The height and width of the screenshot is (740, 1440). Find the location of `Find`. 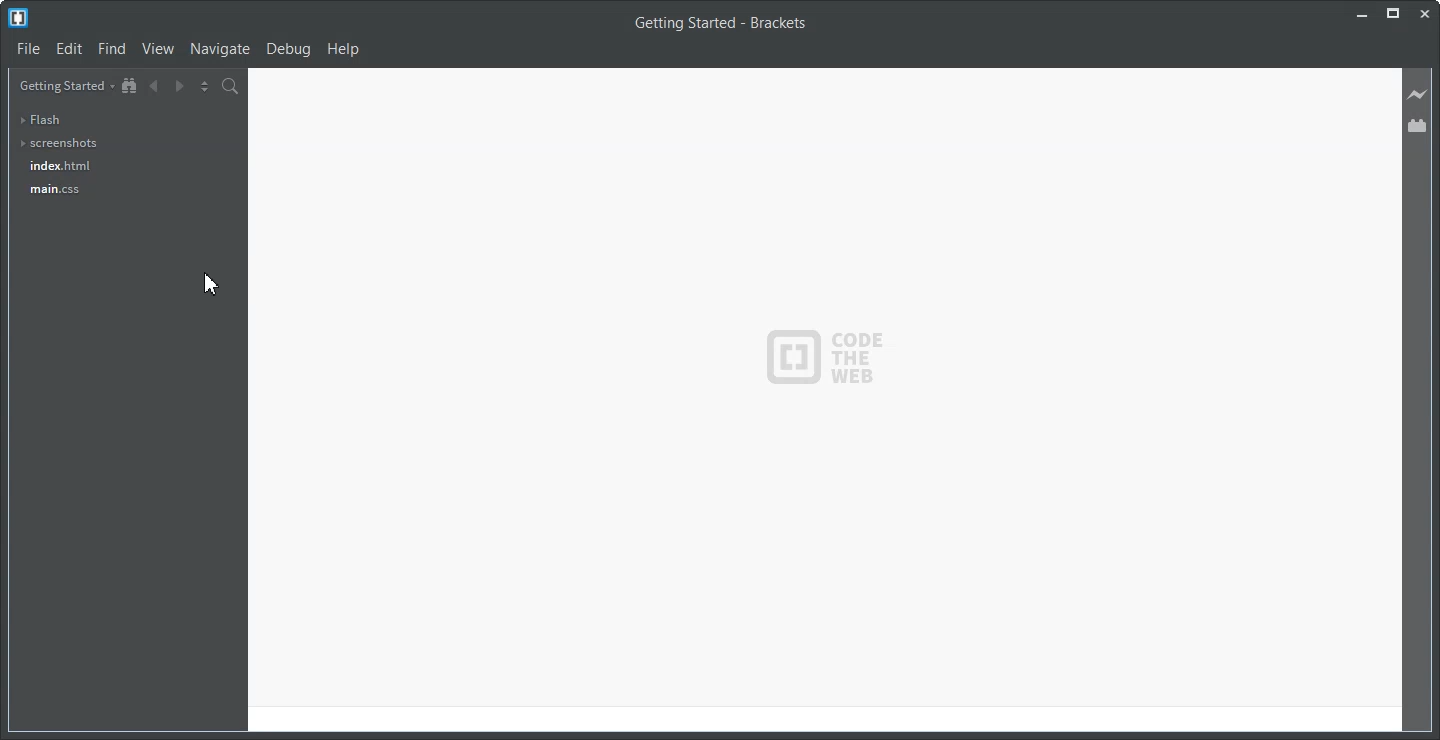

Find is located at coordinates (112, 49).